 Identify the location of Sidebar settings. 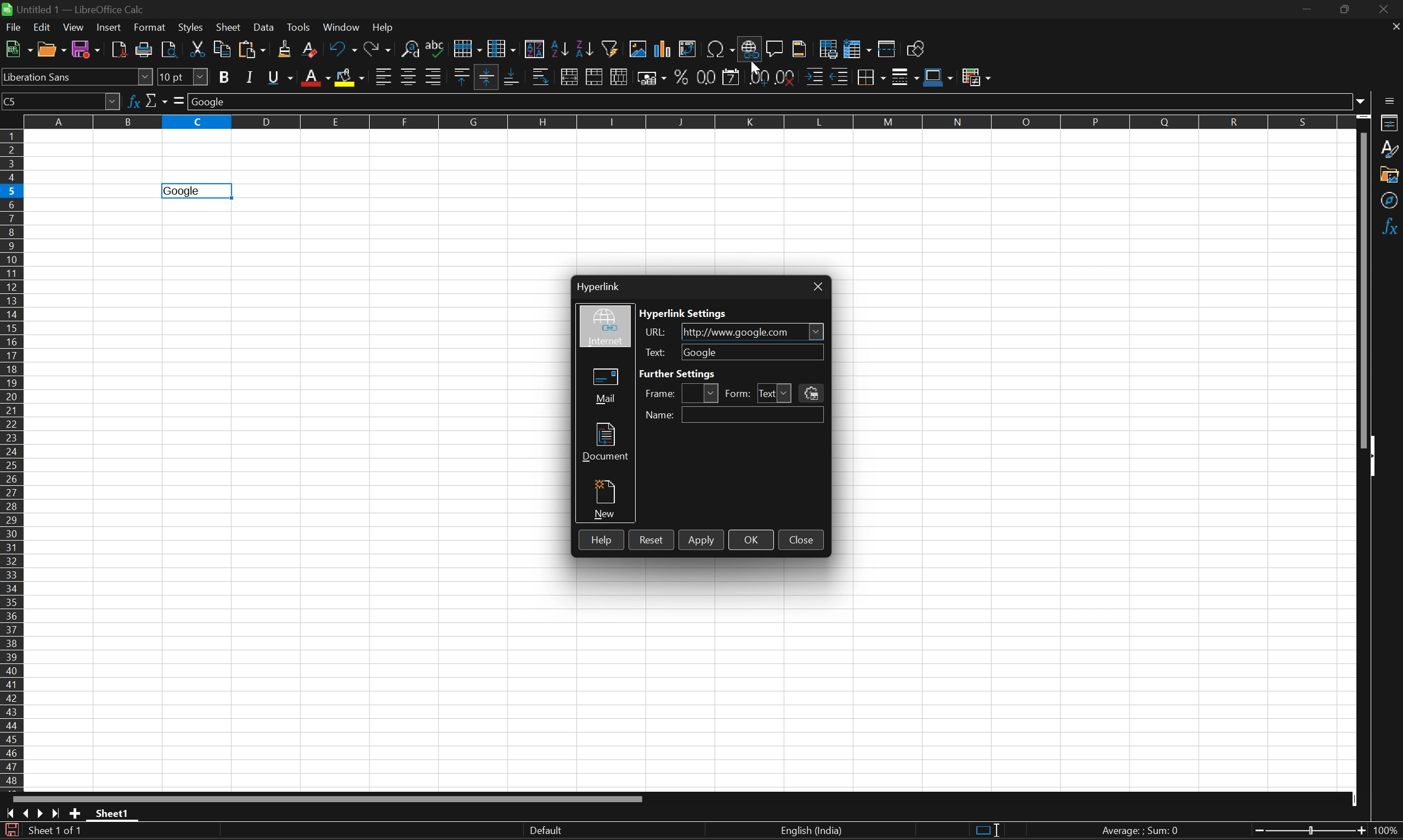
(1391, 100).